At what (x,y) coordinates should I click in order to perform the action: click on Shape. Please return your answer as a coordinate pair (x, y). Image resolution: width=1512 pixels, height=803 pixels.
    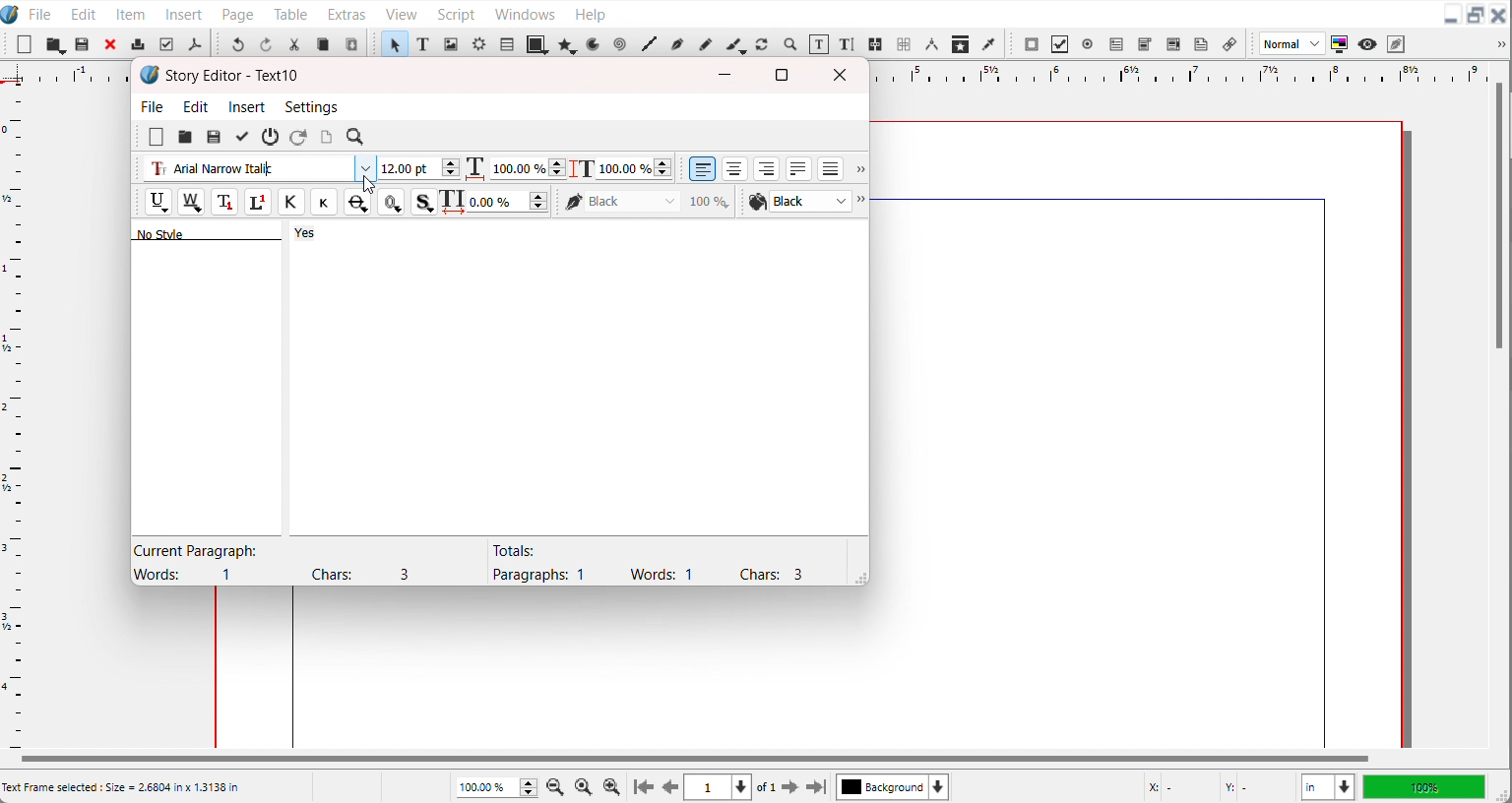
    Looking at the image, I should click on (537, 43).